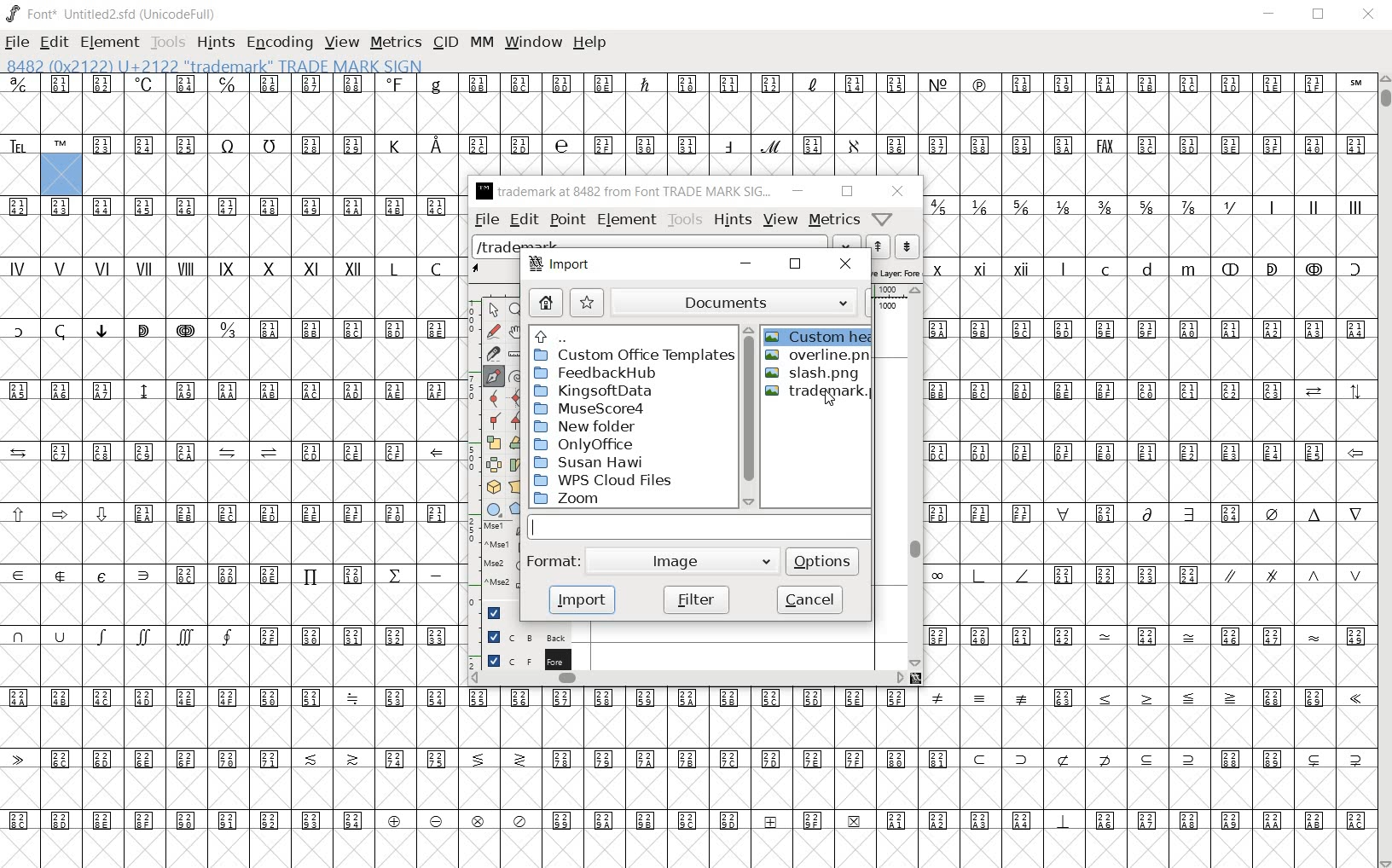 Image resolution: width=1392 pixels, height=868 pixels. Describe the element at coordinates (1318, 16) in the screenshot. I see `RESTORE` at that location.